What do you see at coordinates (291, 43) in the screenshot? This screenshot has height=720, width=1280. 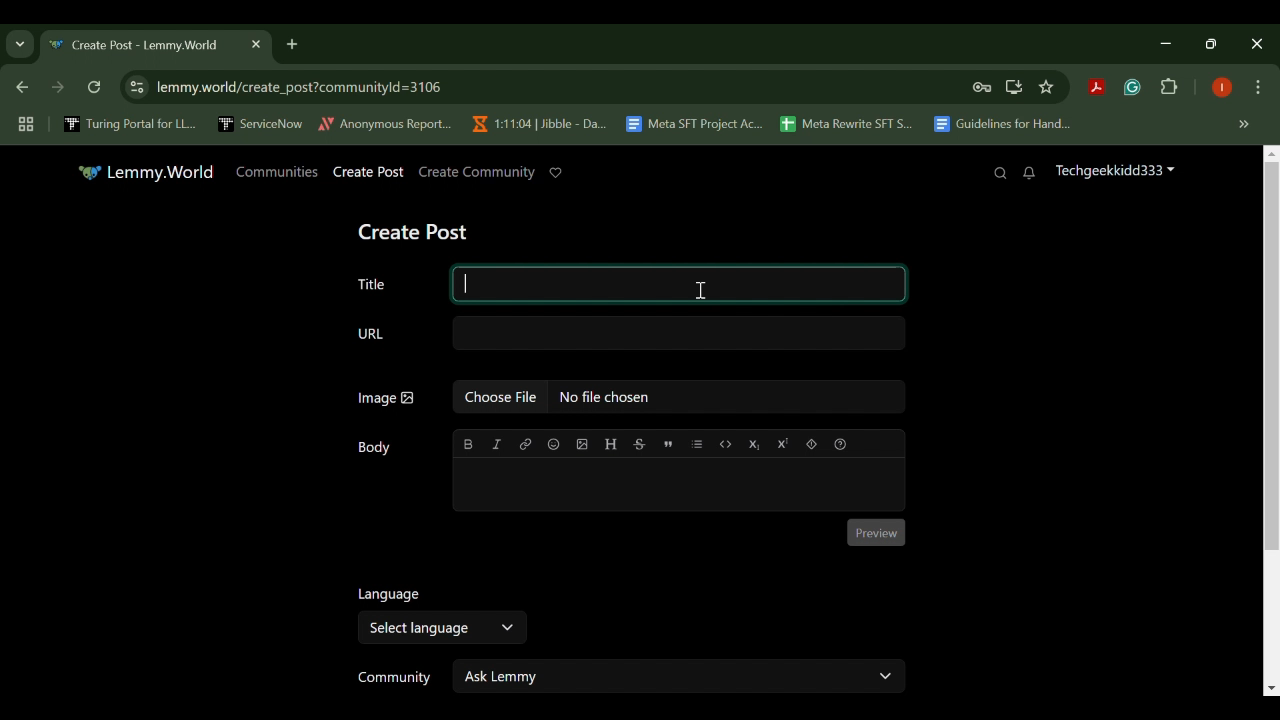 I see `Add Tab` at bounding box center [291, 43].